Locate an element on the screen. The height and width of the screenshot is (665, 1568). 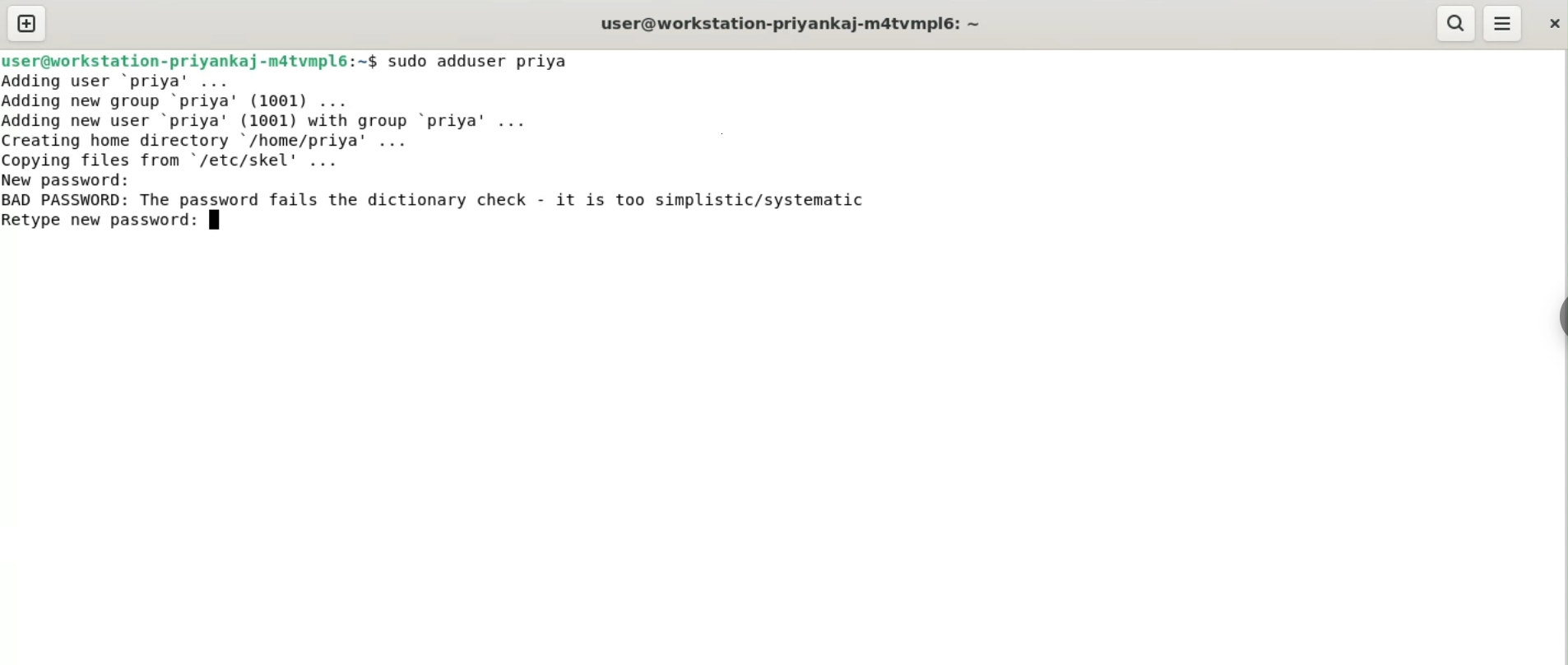
menu is located at coordinates (1503, 24).